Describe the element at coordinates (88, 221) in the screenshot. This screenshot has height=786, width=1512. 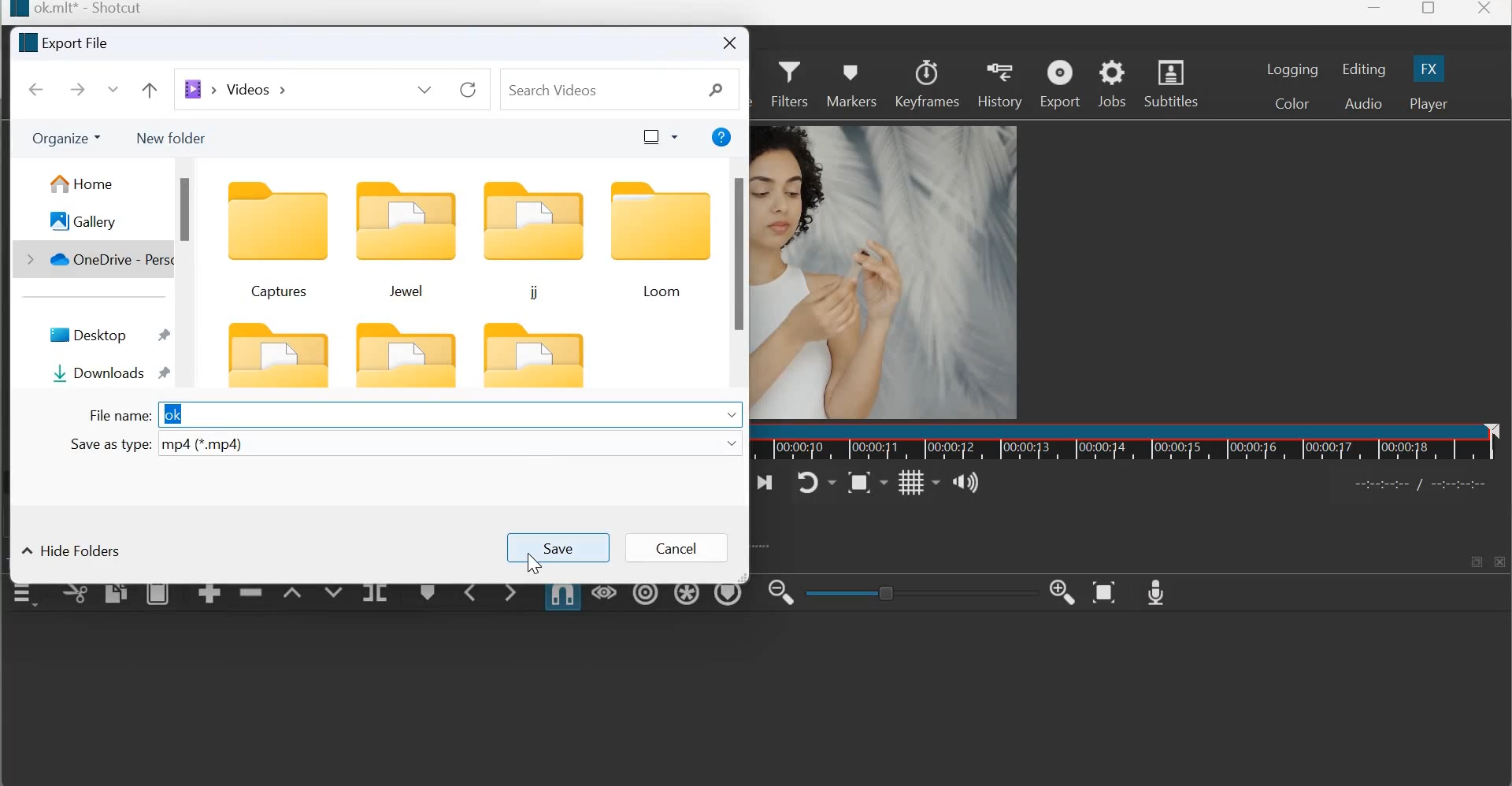
I see `Gallery` at that location.